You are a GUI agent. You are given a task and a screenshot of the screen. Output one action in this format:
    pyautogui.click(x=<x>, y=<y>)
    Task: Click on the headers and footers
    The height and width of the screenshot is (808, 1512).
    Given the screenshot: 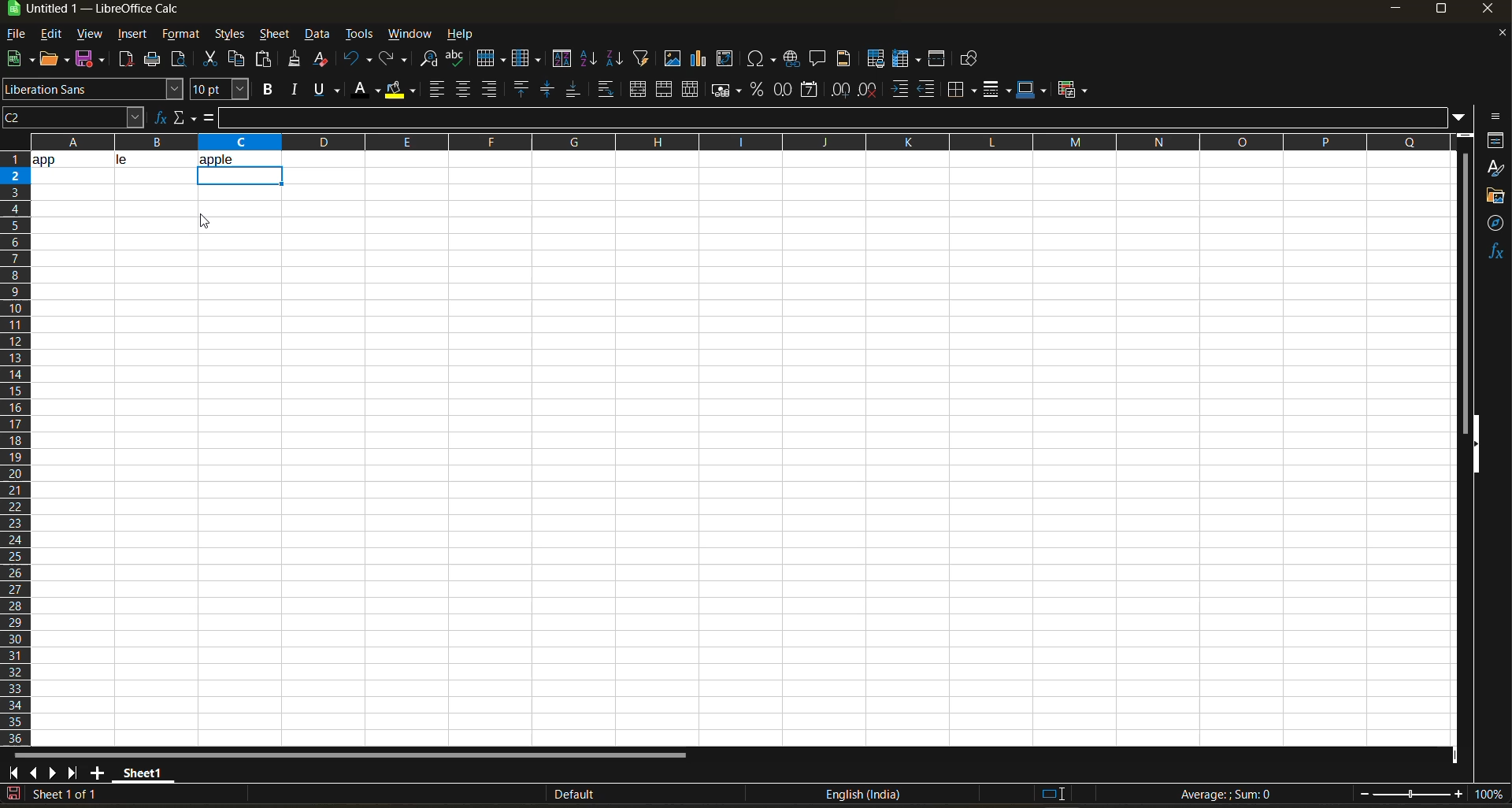 What is the action you would take?
    pyautogui.click(x=844, y=57)
    